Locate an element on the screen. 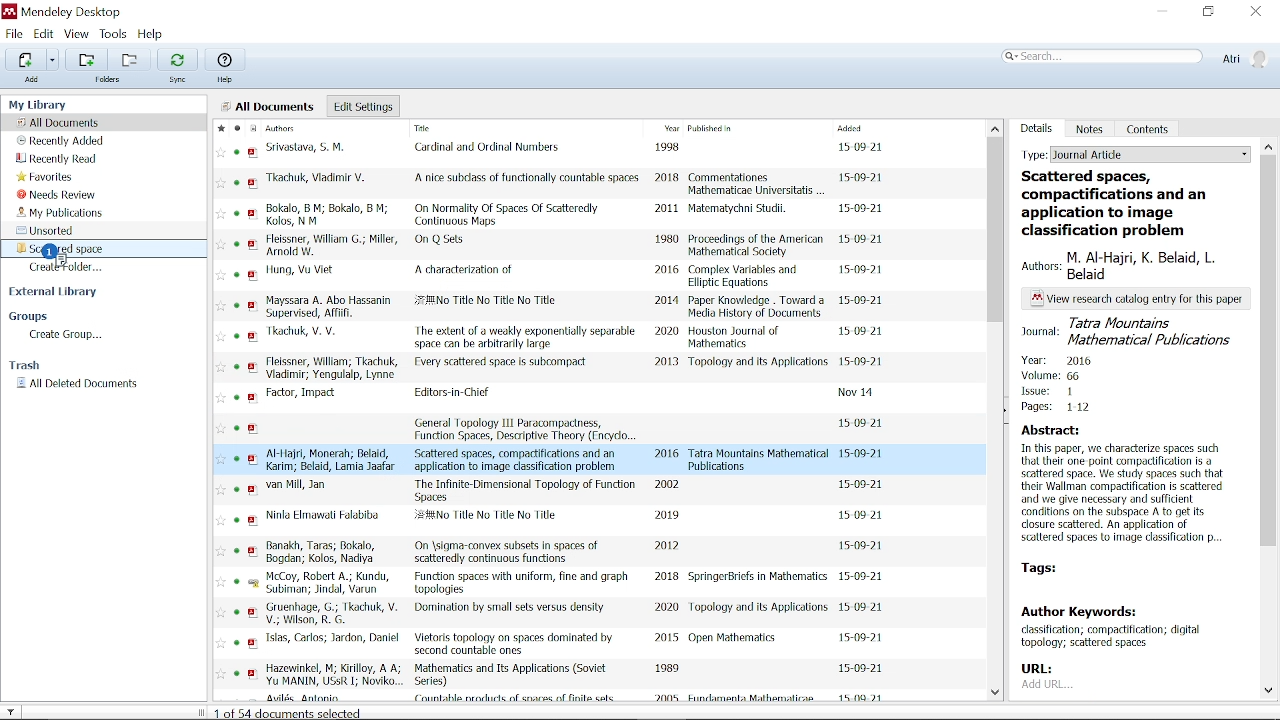 The image size is (1280, 720). authors is located at coordinates (330, 368).